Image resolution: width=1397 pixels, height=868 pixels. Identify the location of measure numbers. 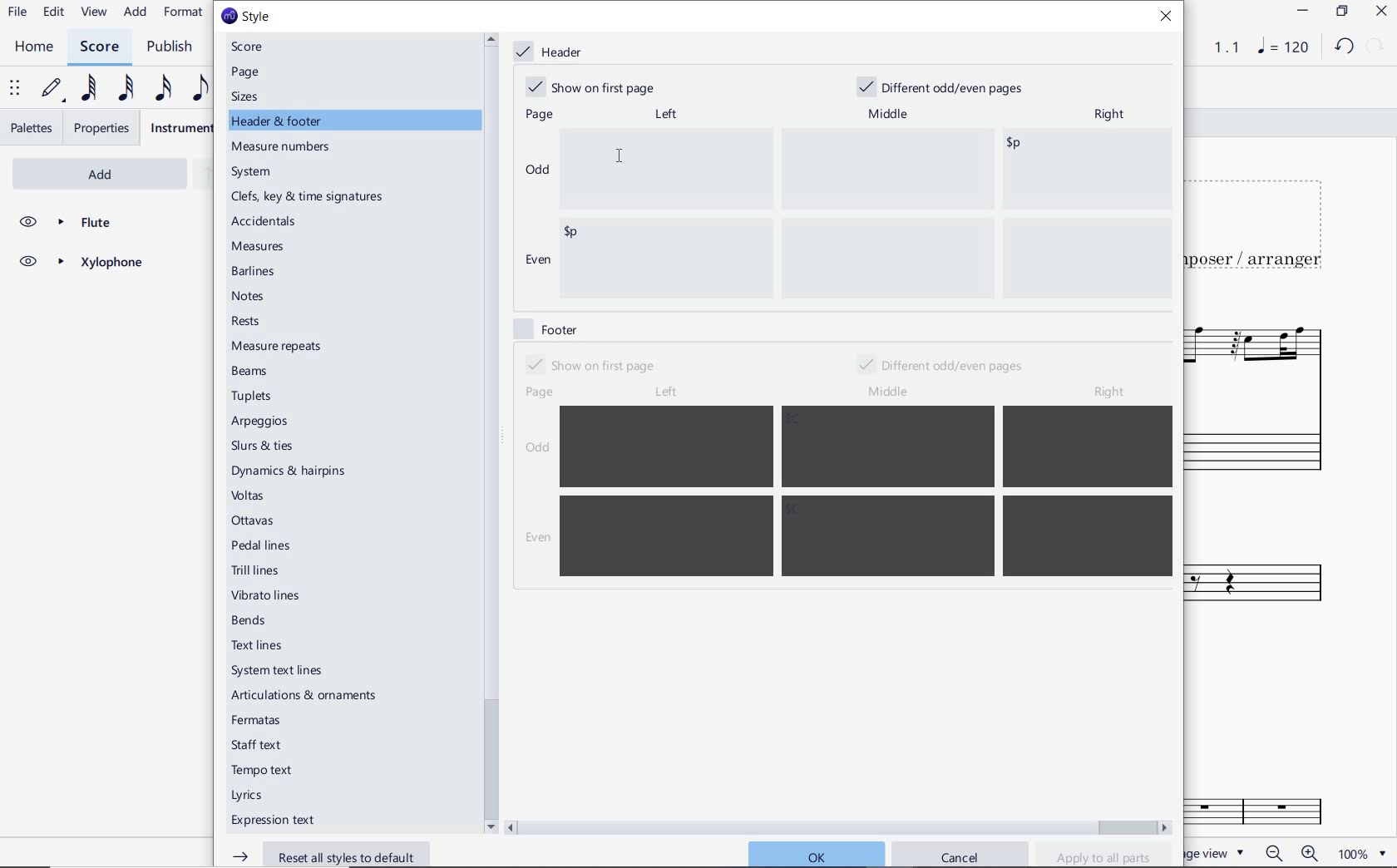
(284, 148).